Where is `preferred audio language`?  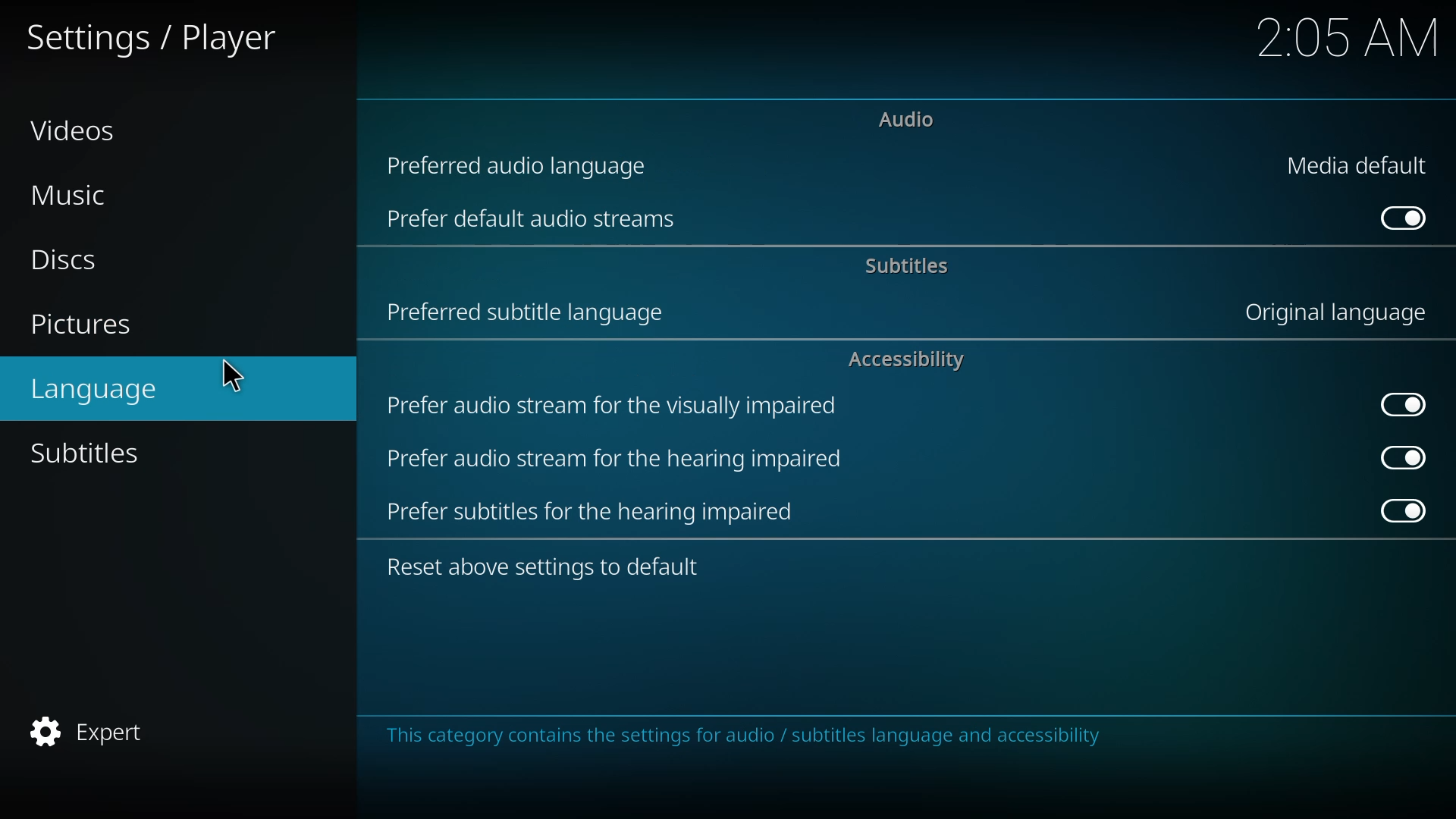
preferred audio language is located at coordinates (525, 164).